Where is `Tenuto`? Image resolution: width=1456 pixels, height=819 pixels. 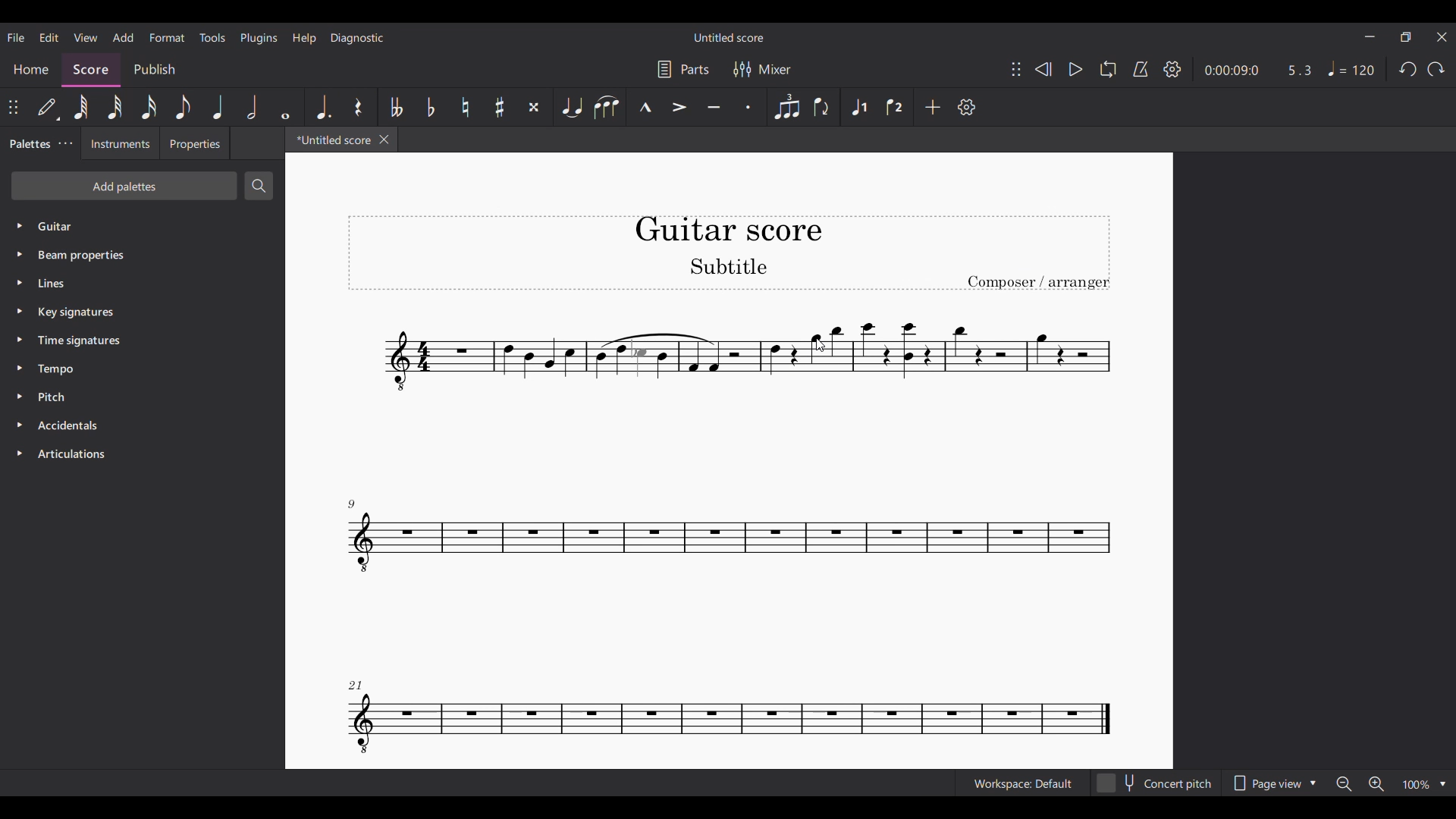 Tenuto is located at coordinates (714, 107).